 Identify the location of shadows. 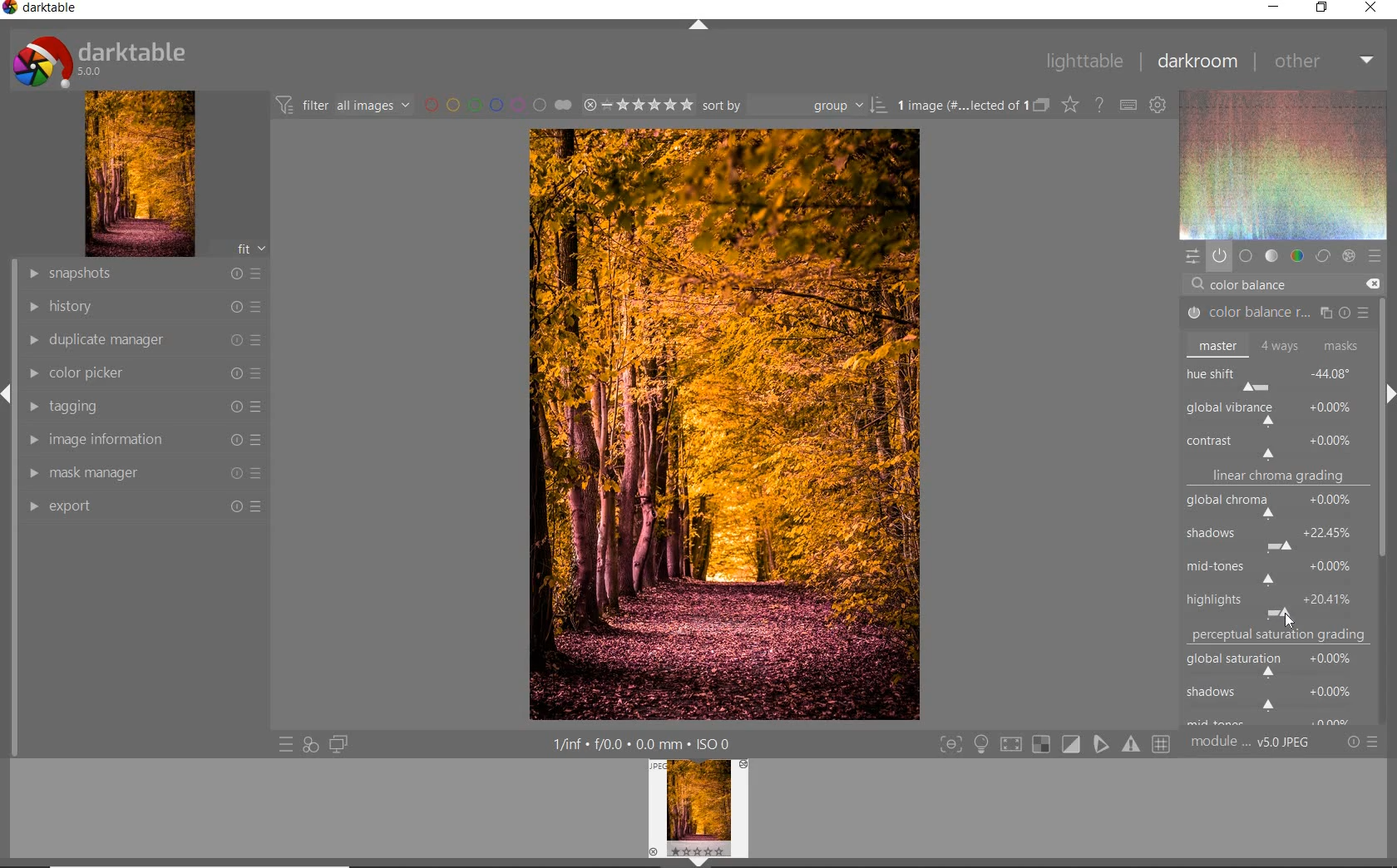
(1276, 696).